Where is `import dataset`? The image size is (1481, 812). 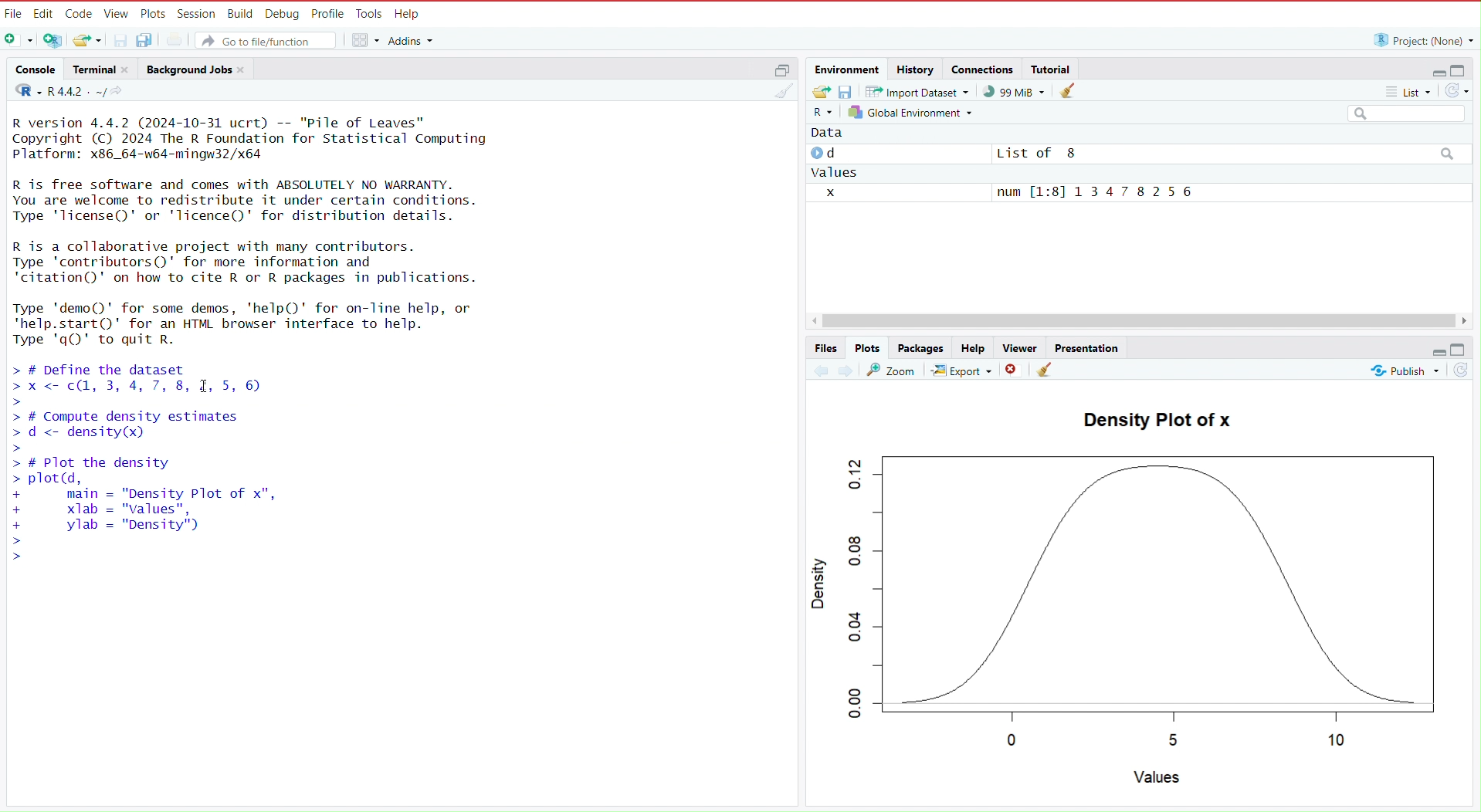 import dataset is located at coordinates (917, 93).